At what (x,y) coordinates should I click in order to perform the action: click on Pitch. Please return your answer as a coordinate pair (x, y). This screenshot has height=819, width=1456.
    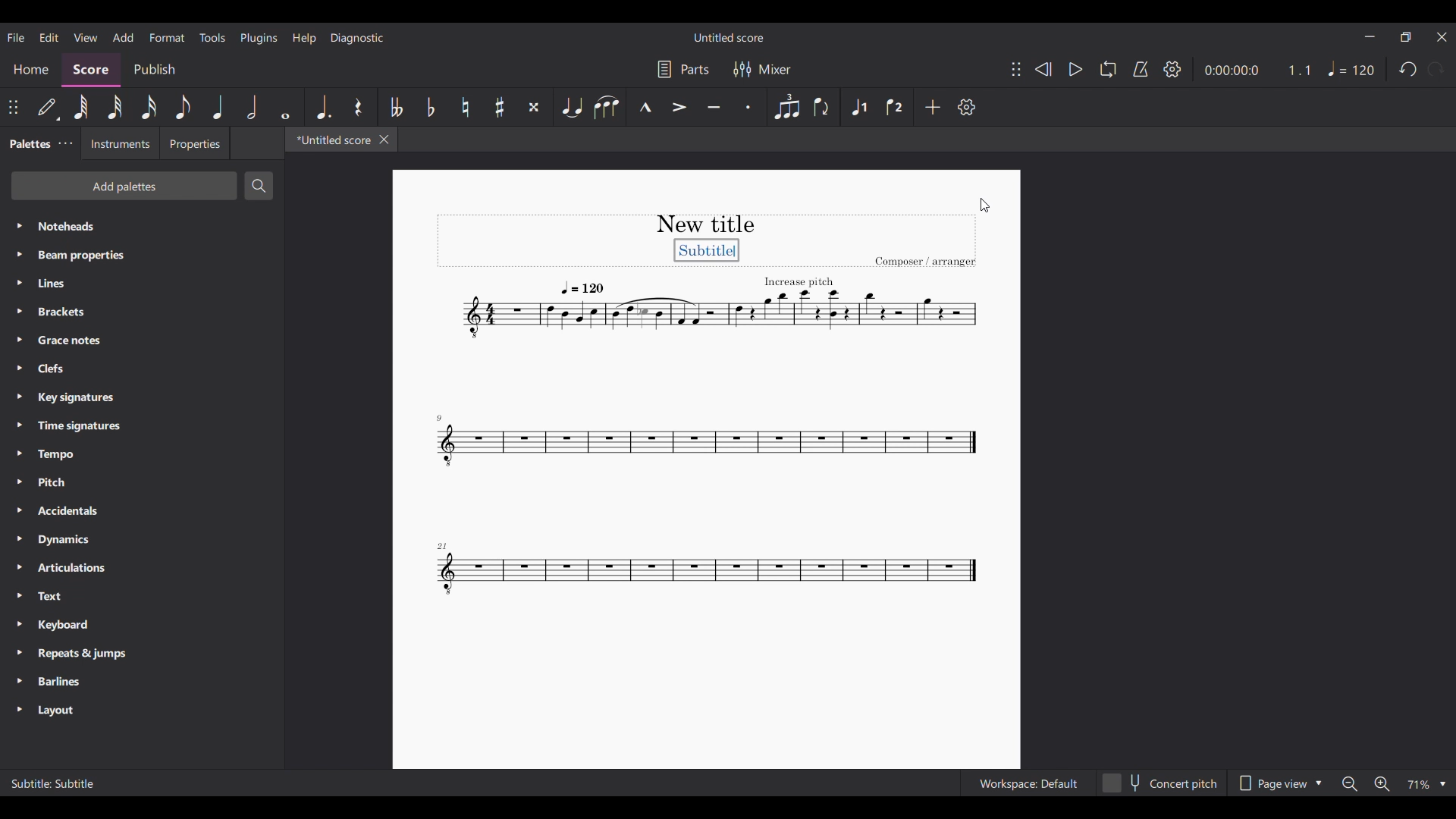
    Looking at the image, I should click on (142, 482).